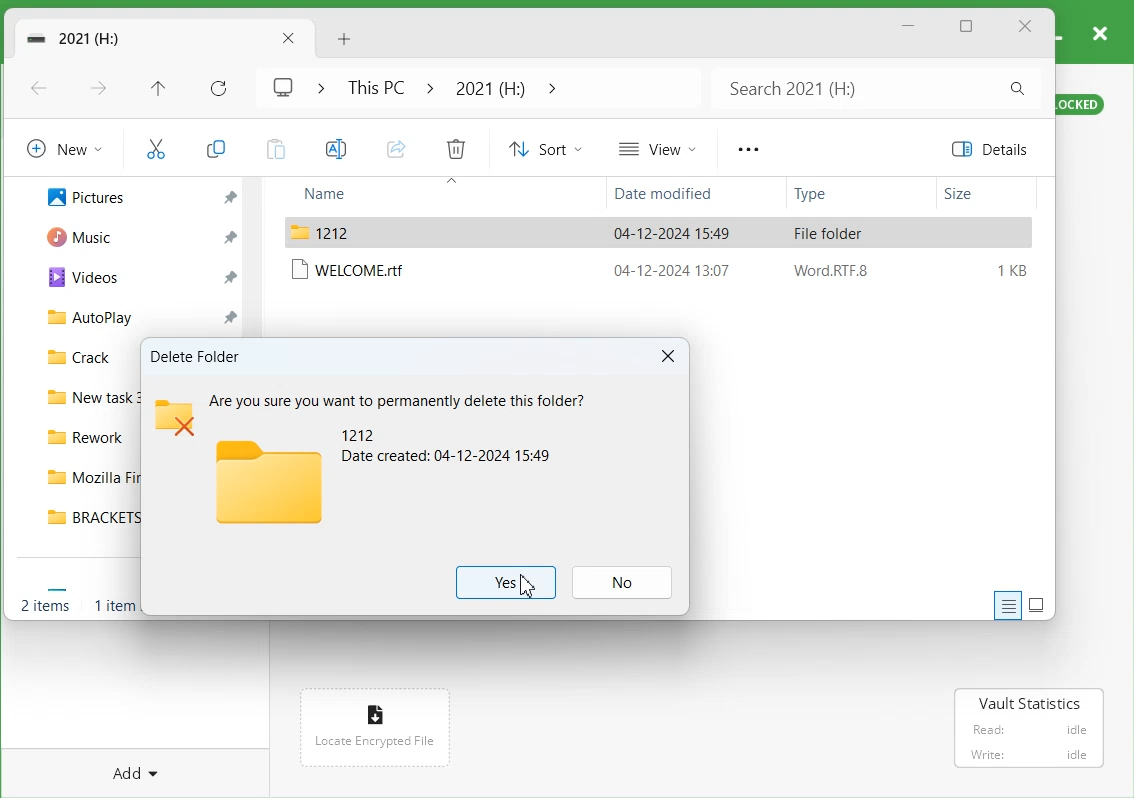 Image resolution: width=1134 pixels, height=798 pixels. What do you see at coordinates (174, 418) in the screenshot?
I see `Logo` at bounding box center [174, 418].